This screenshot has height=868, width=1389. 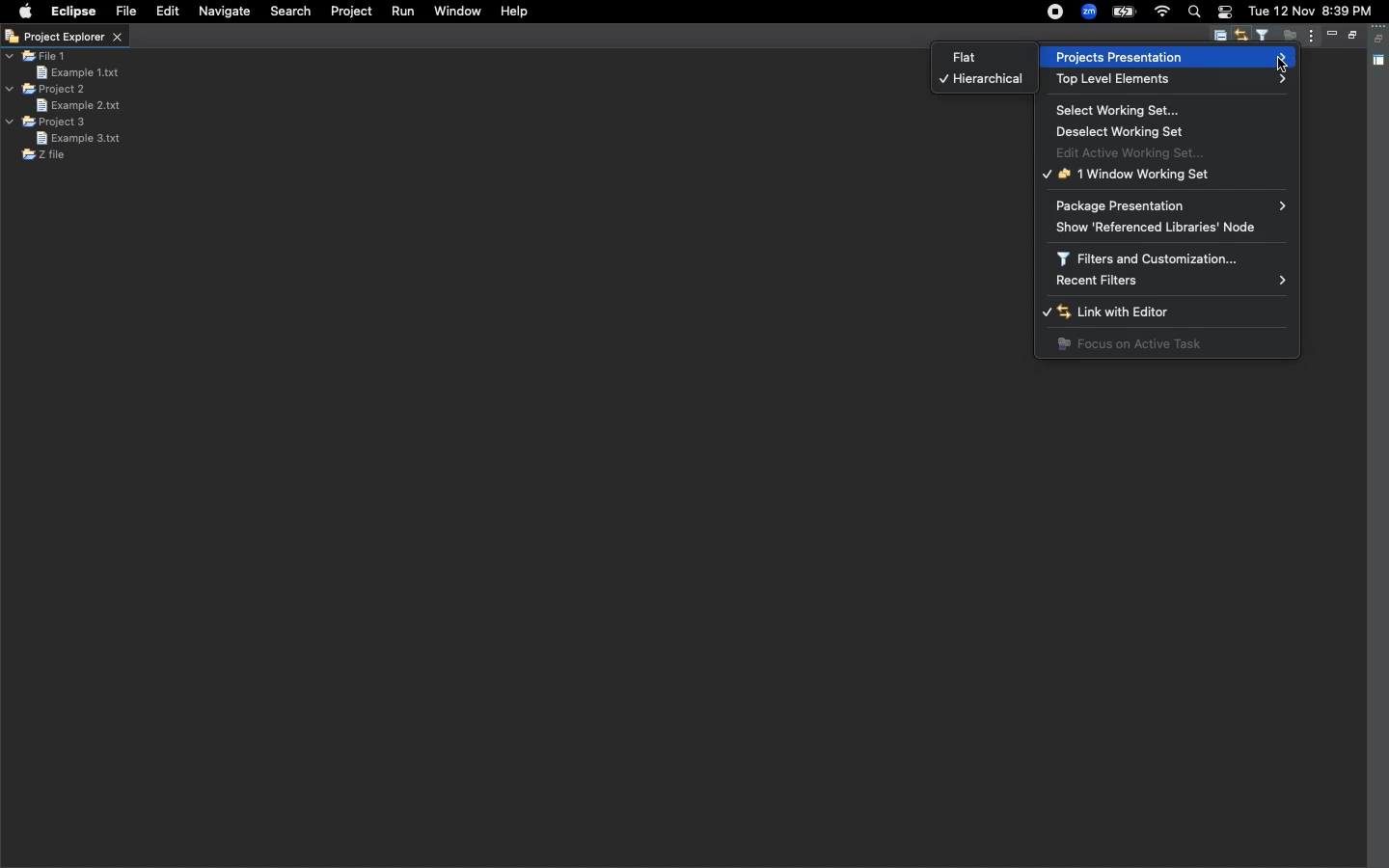 I want to click on Select working set, so click(x=1122, y=110).